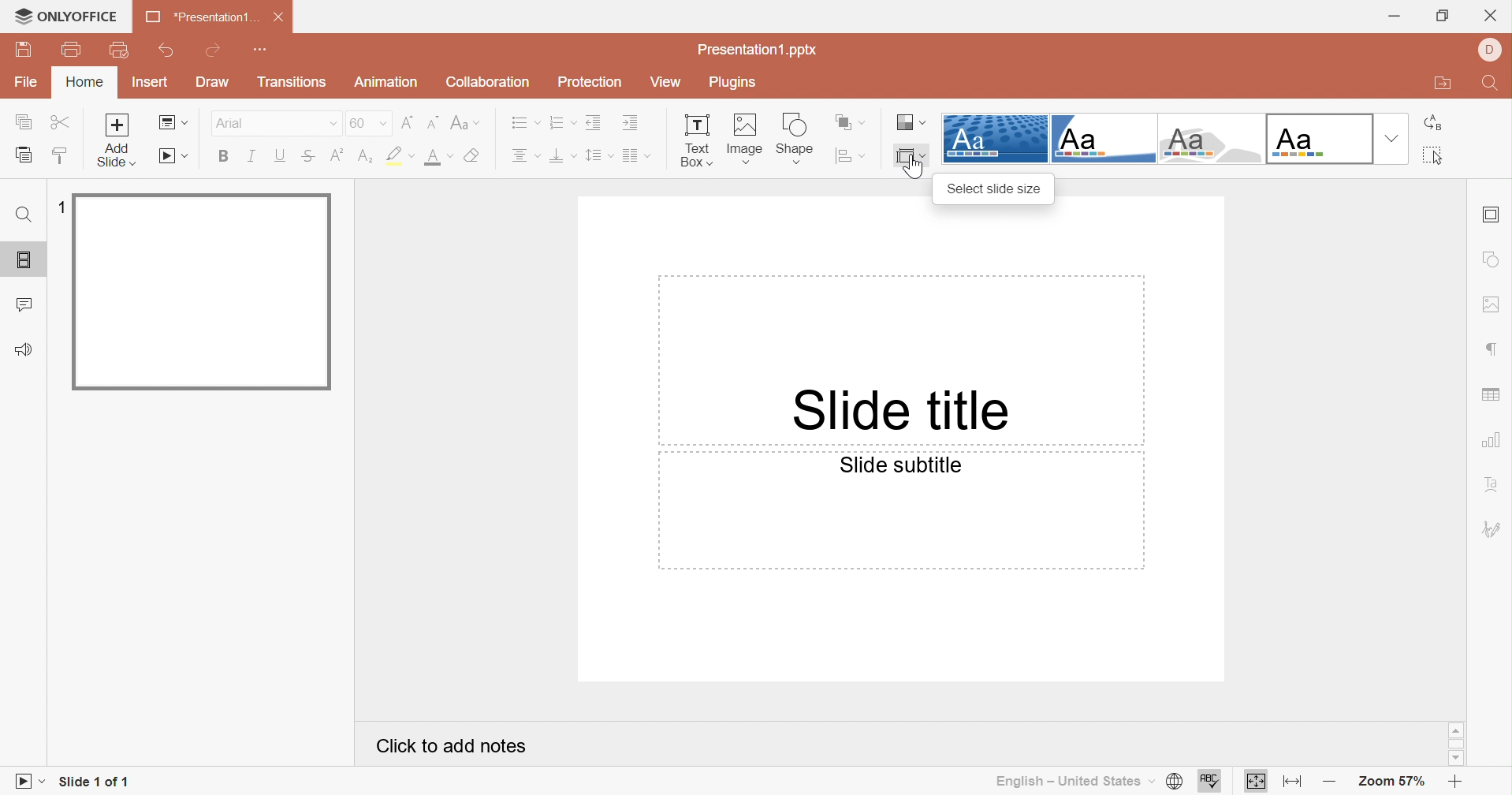  Describe the element at coordinates (279, 155) in the screenshot. I see `Underline` at that location.